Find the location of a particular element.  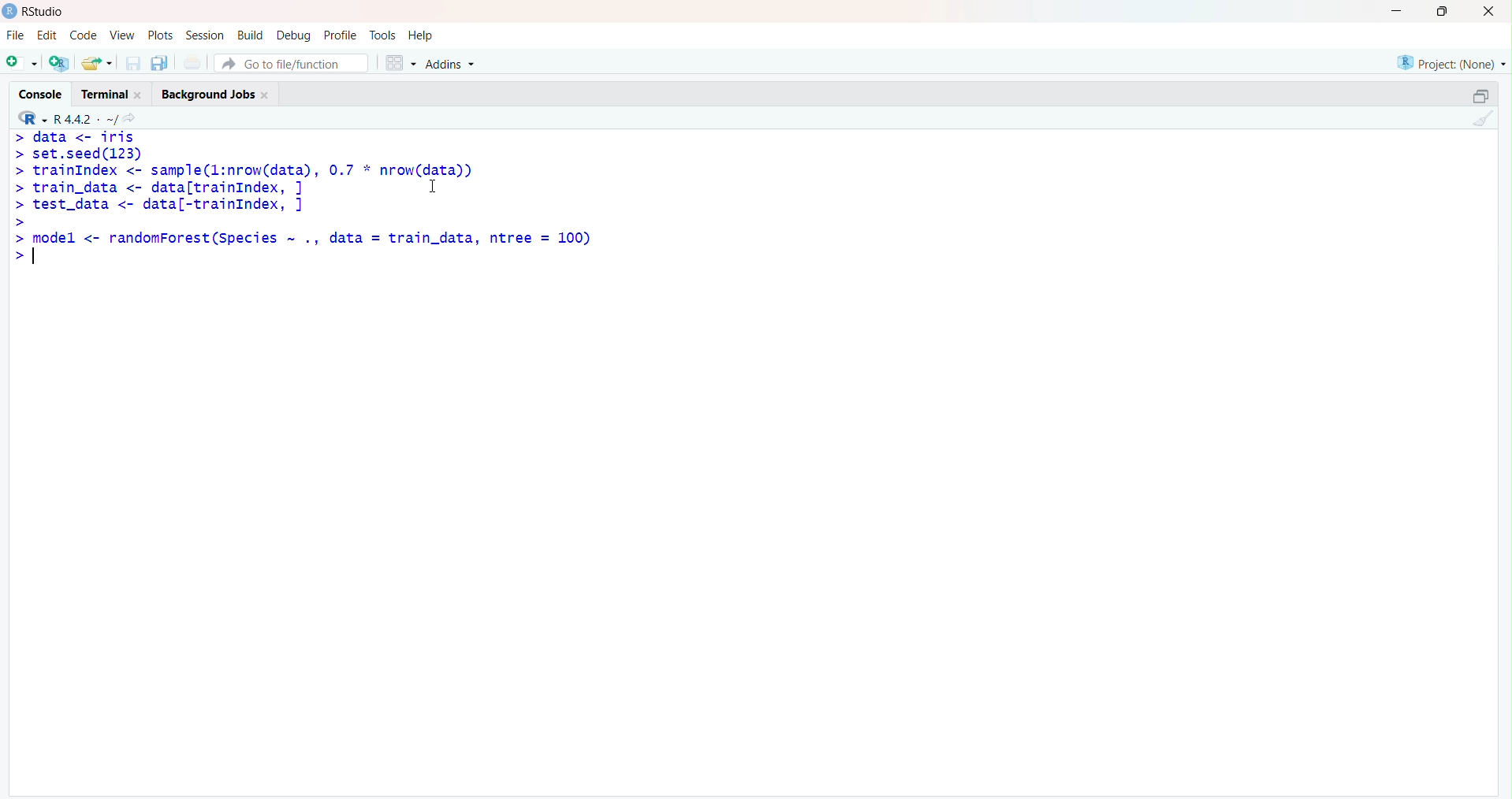

R.4.4.2. ~/ is located at coordinates (87, 117).